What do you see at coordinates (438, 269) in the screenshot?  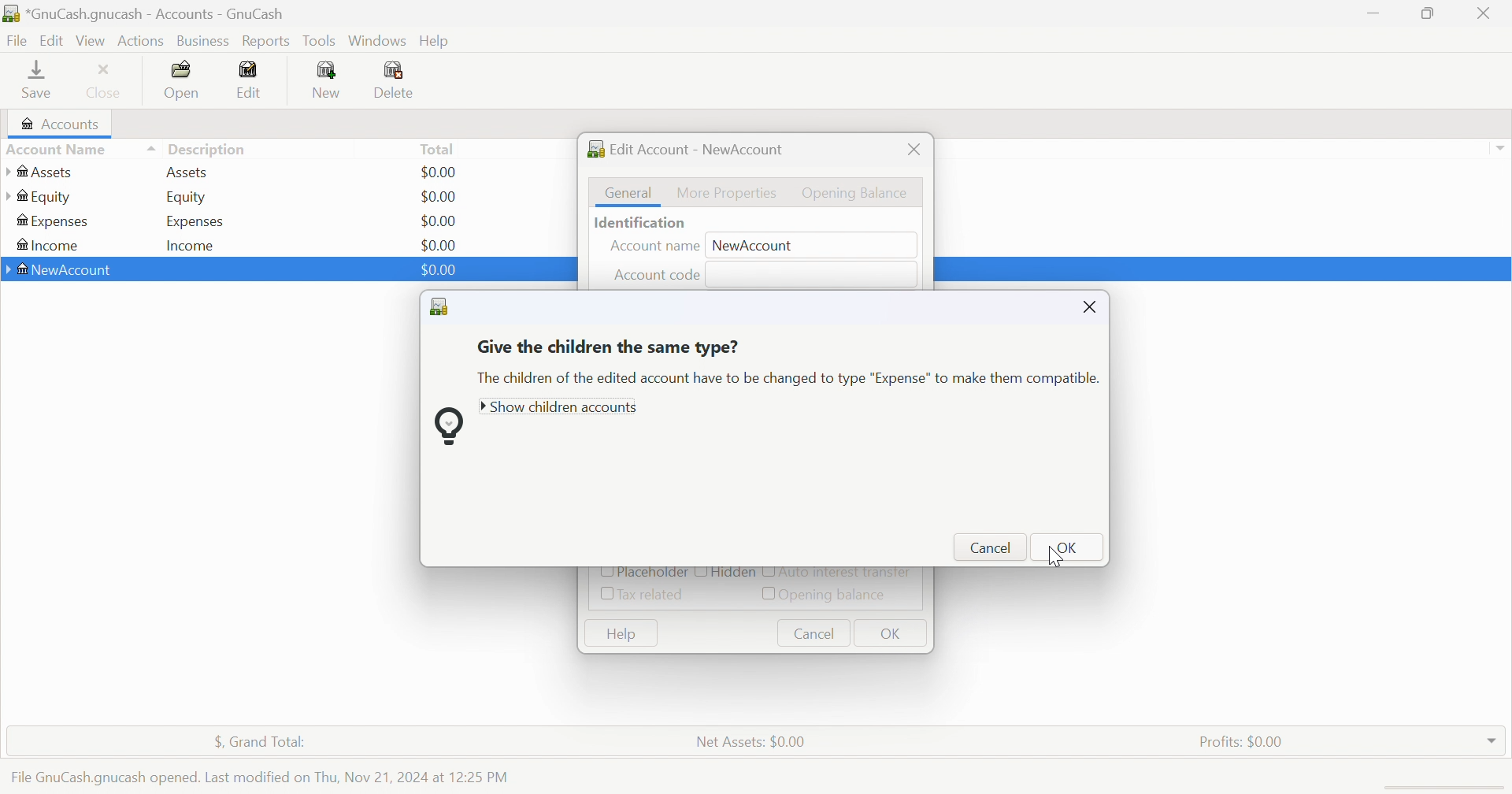 I see `$0.00` at bounding box center [438, 269].